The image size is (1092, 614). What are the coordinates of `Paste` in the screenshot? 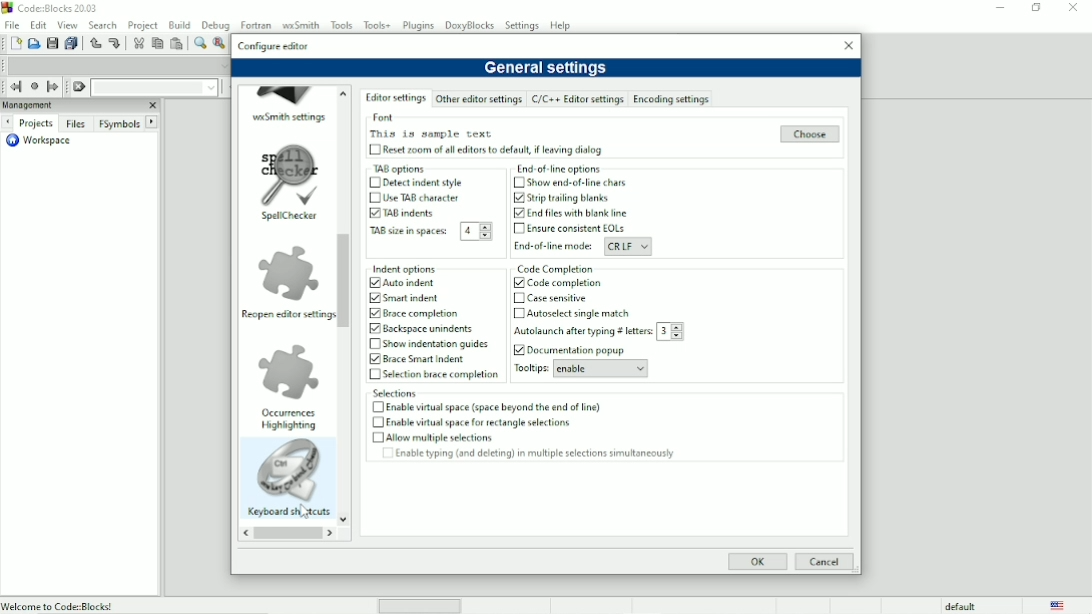 It's located at (176, 43).